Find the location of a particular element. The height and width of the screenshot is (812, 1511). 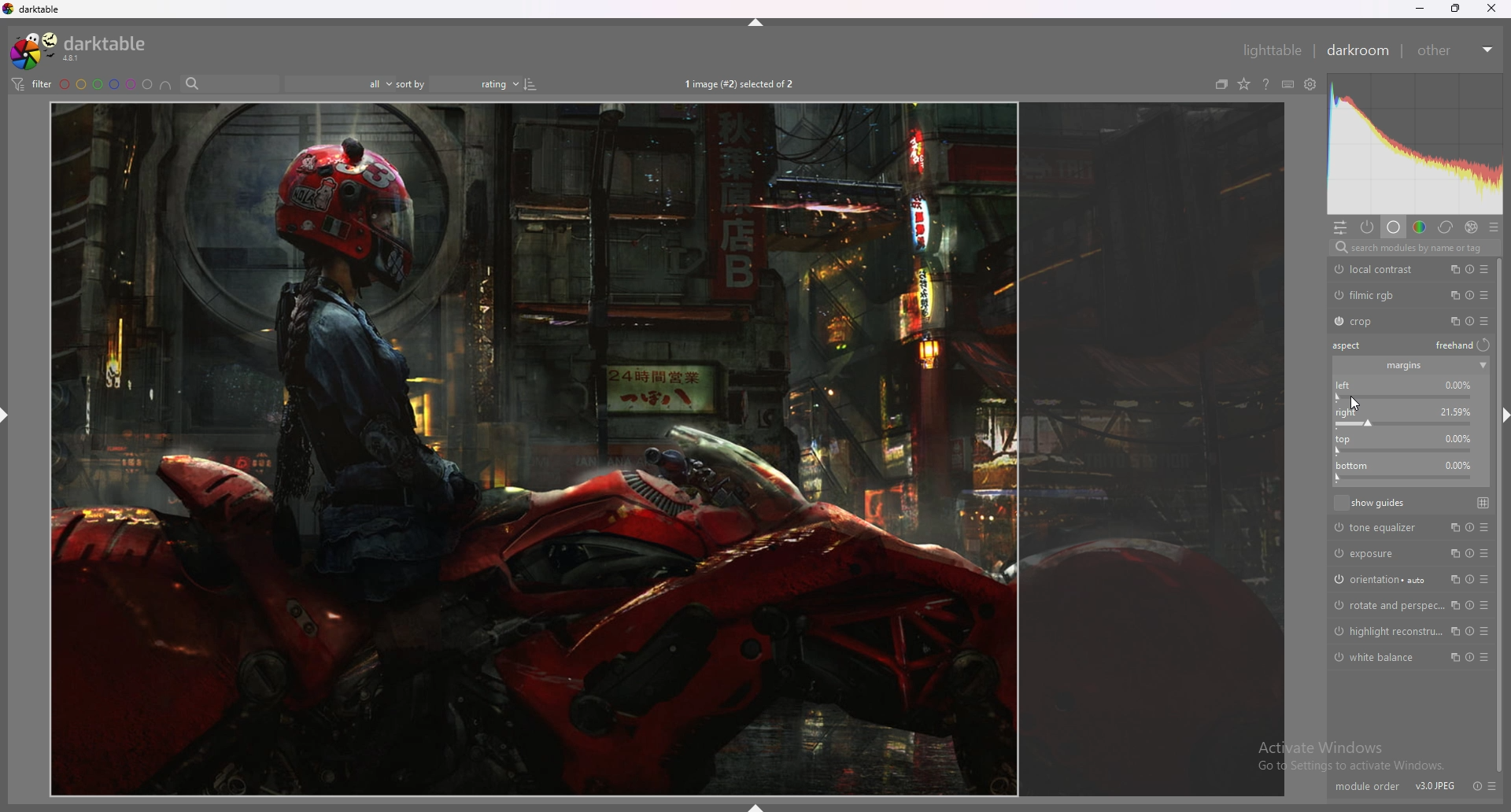

darkroom is located at coordinates (1358, 50).